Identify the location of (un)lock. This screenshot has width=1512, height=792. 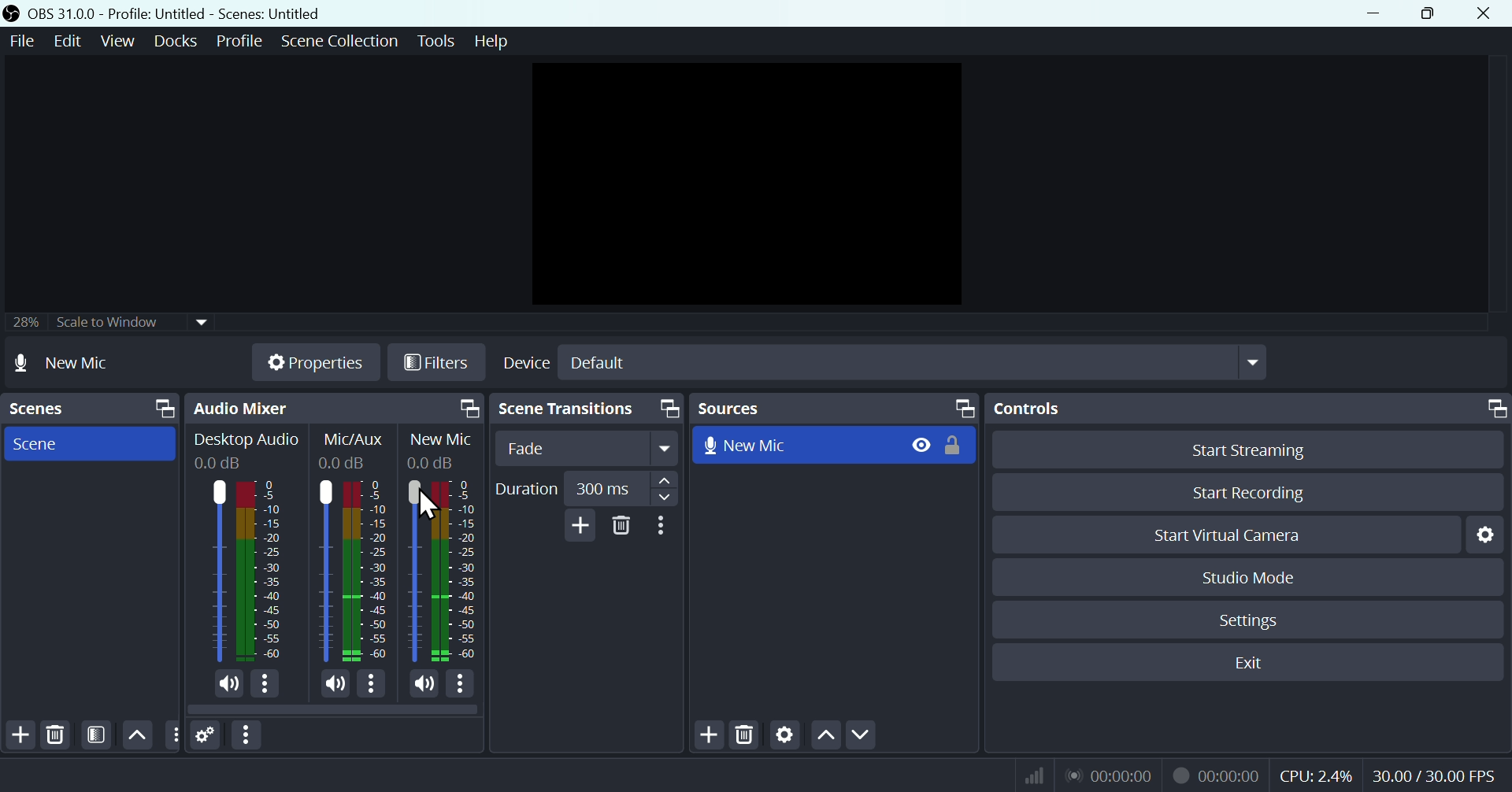
(957, 445).